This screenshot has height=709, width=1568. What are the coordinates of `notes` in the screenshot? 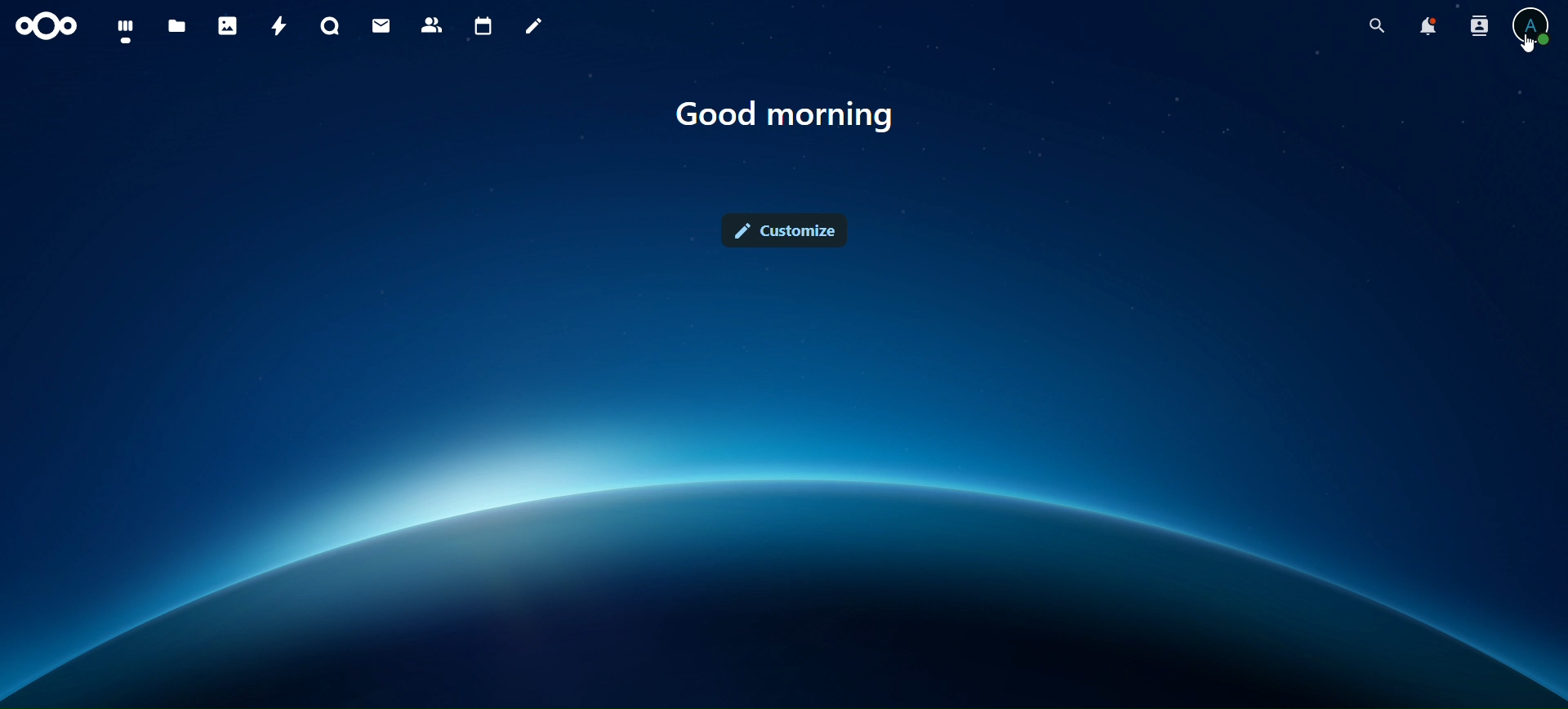 It's located at (535, 29).